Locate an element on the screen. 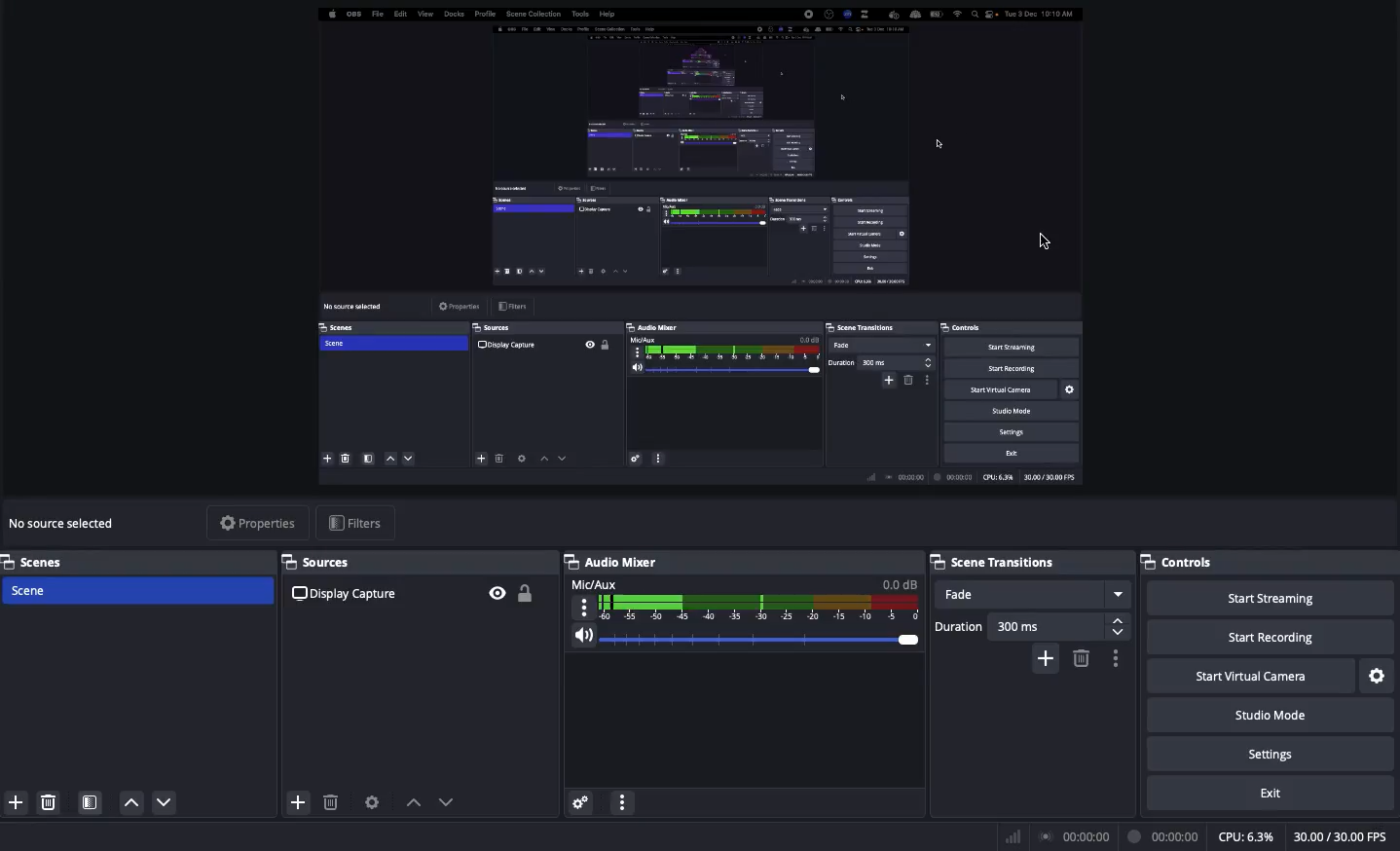  Delete is located at coordinates (332, 803).